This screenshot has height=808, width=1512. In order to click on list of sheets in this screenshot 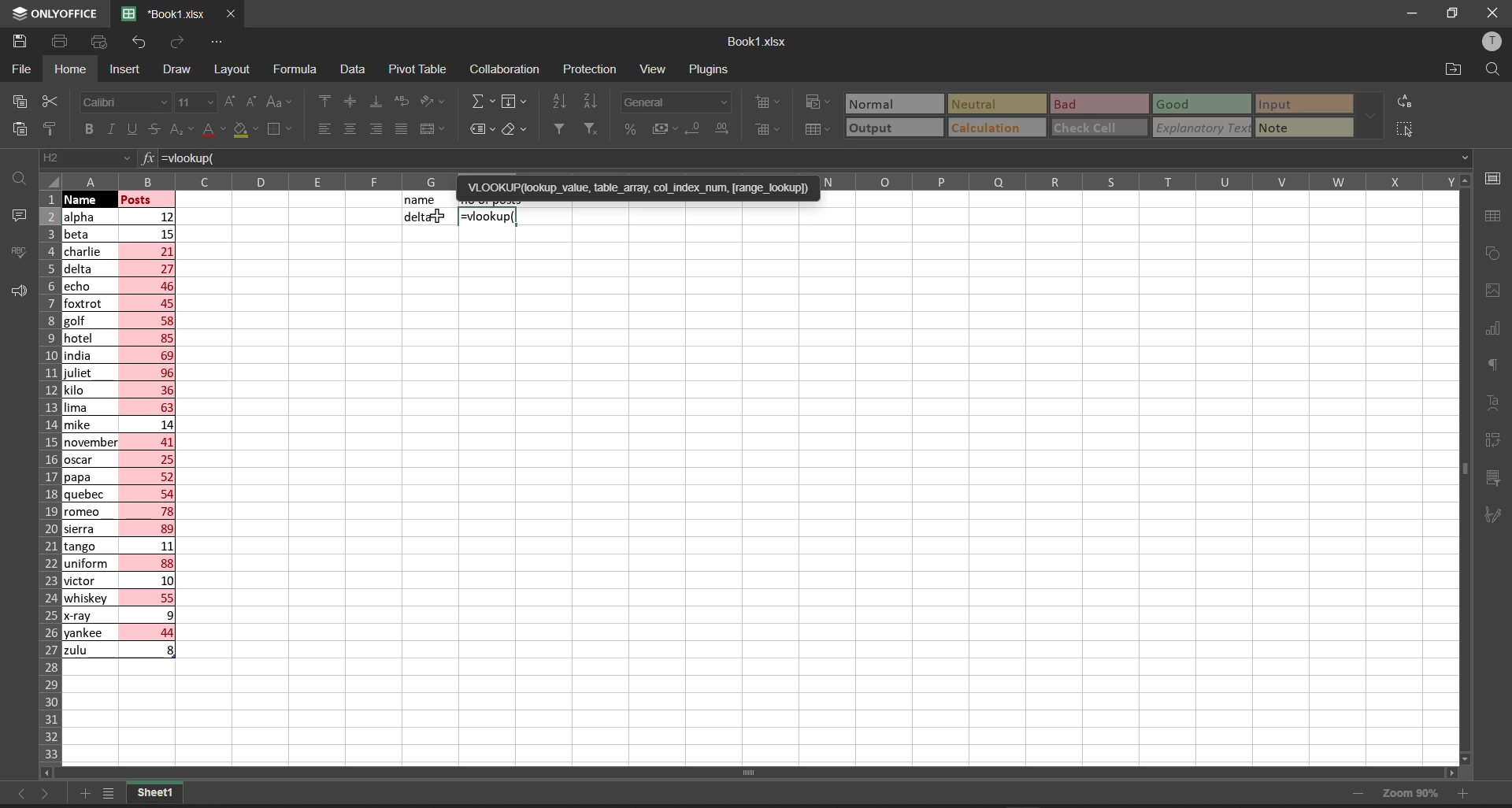, I will do `click(113, 795)`.